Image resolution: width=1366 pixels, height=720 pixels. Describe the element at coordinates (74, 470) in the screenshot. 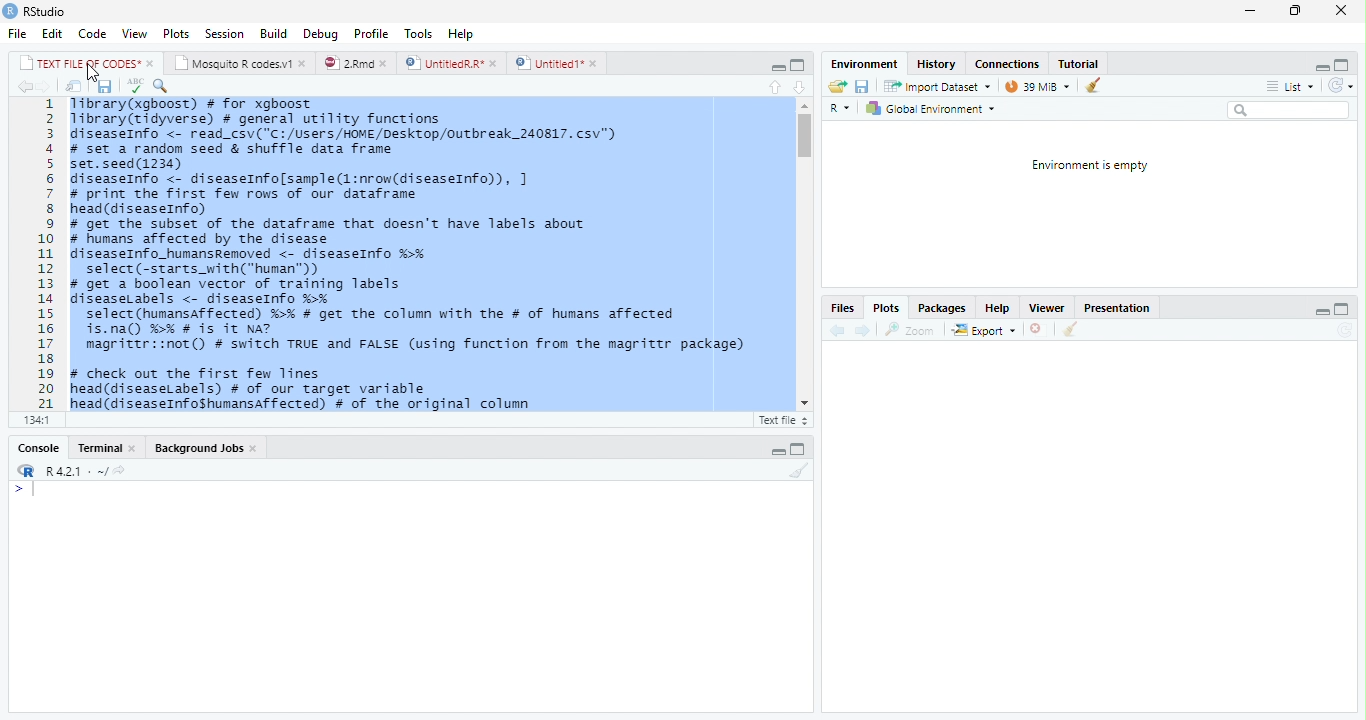

I see `R 4.2.1 .~/` at that location.